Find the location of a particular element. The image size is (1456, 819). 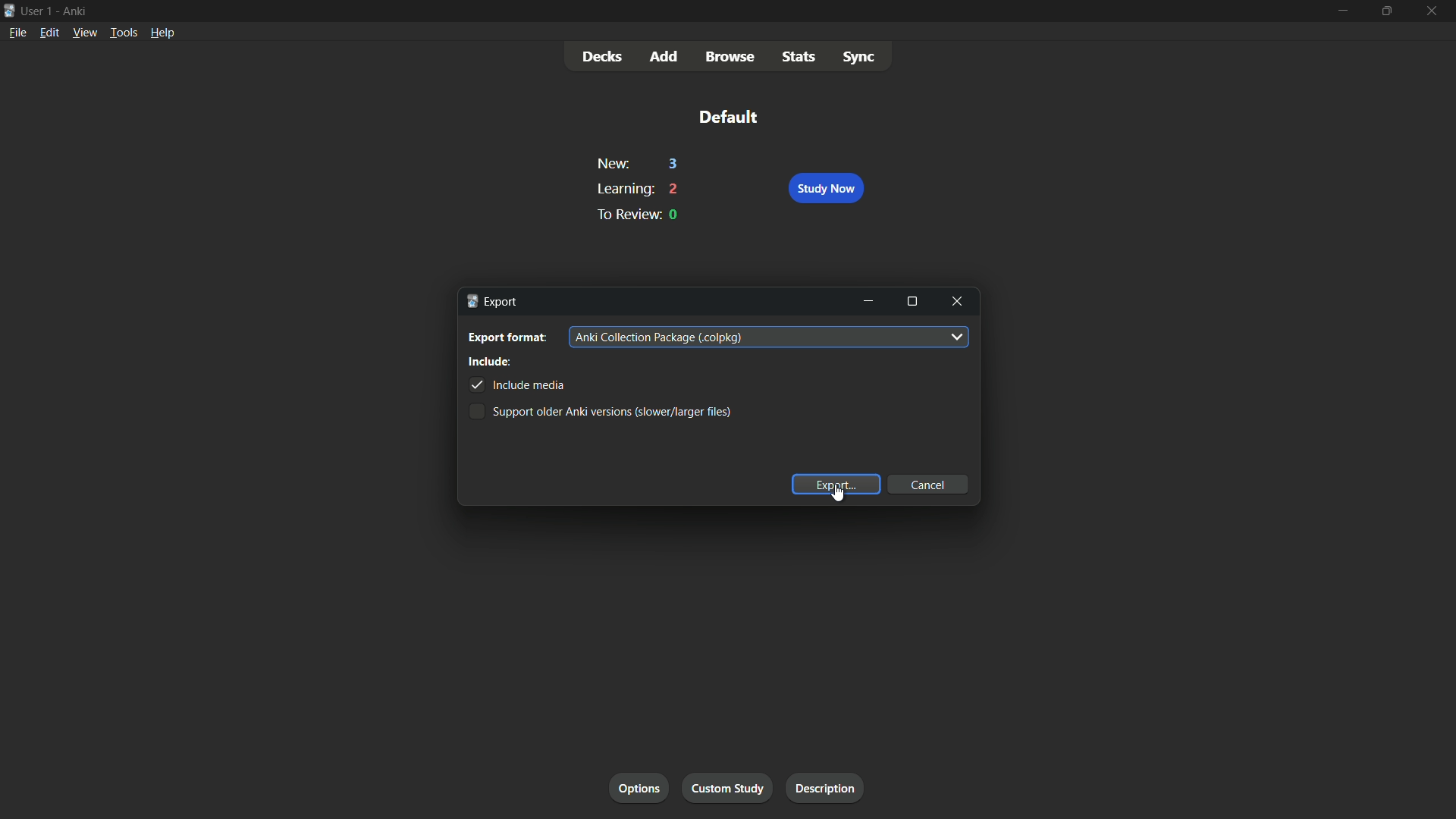

app icon is located at coordinates (9, 11).